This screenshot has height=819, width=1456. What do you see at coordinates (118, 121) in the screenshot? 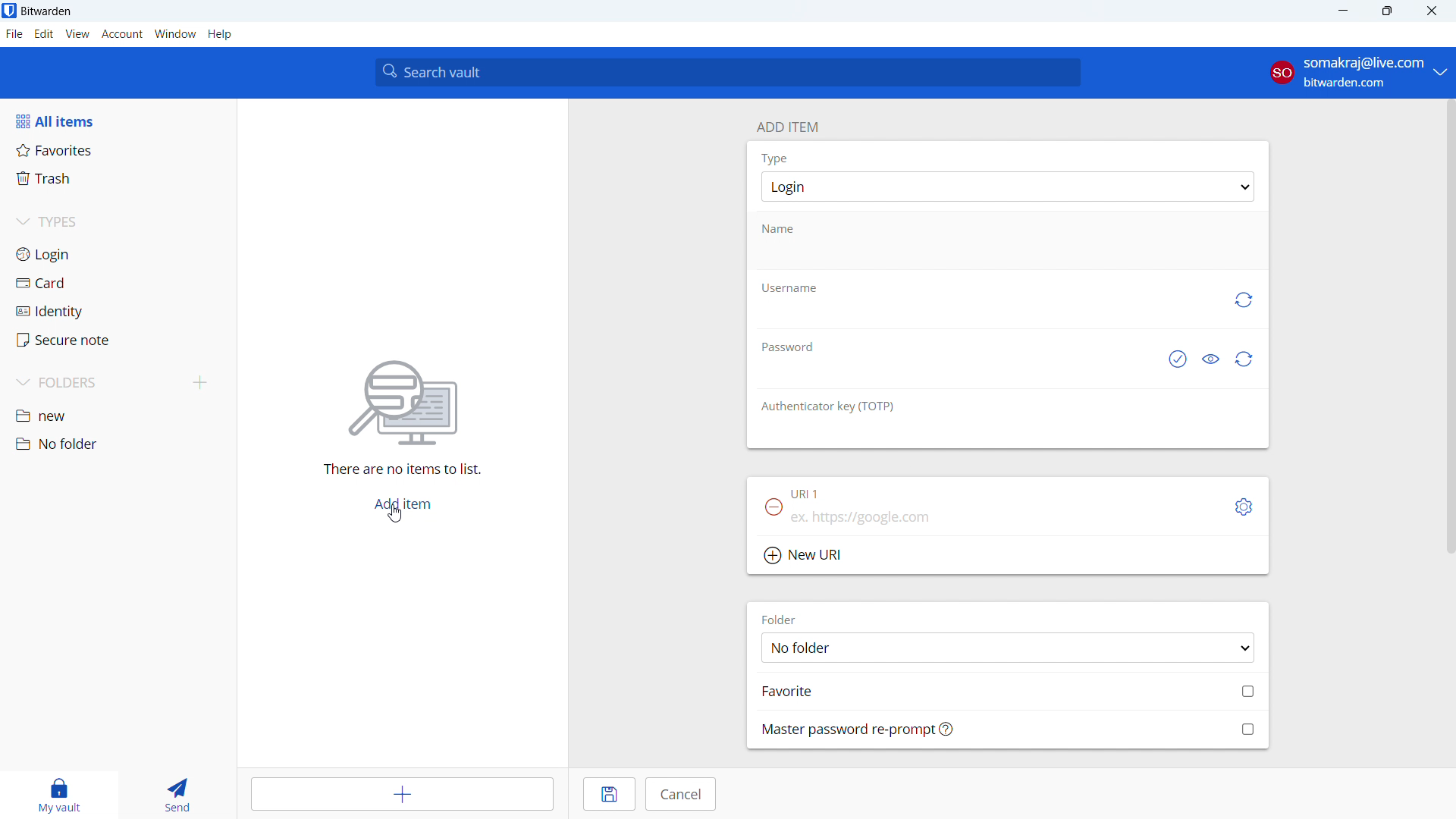
I see `all items` at bounding box center [118, 121].